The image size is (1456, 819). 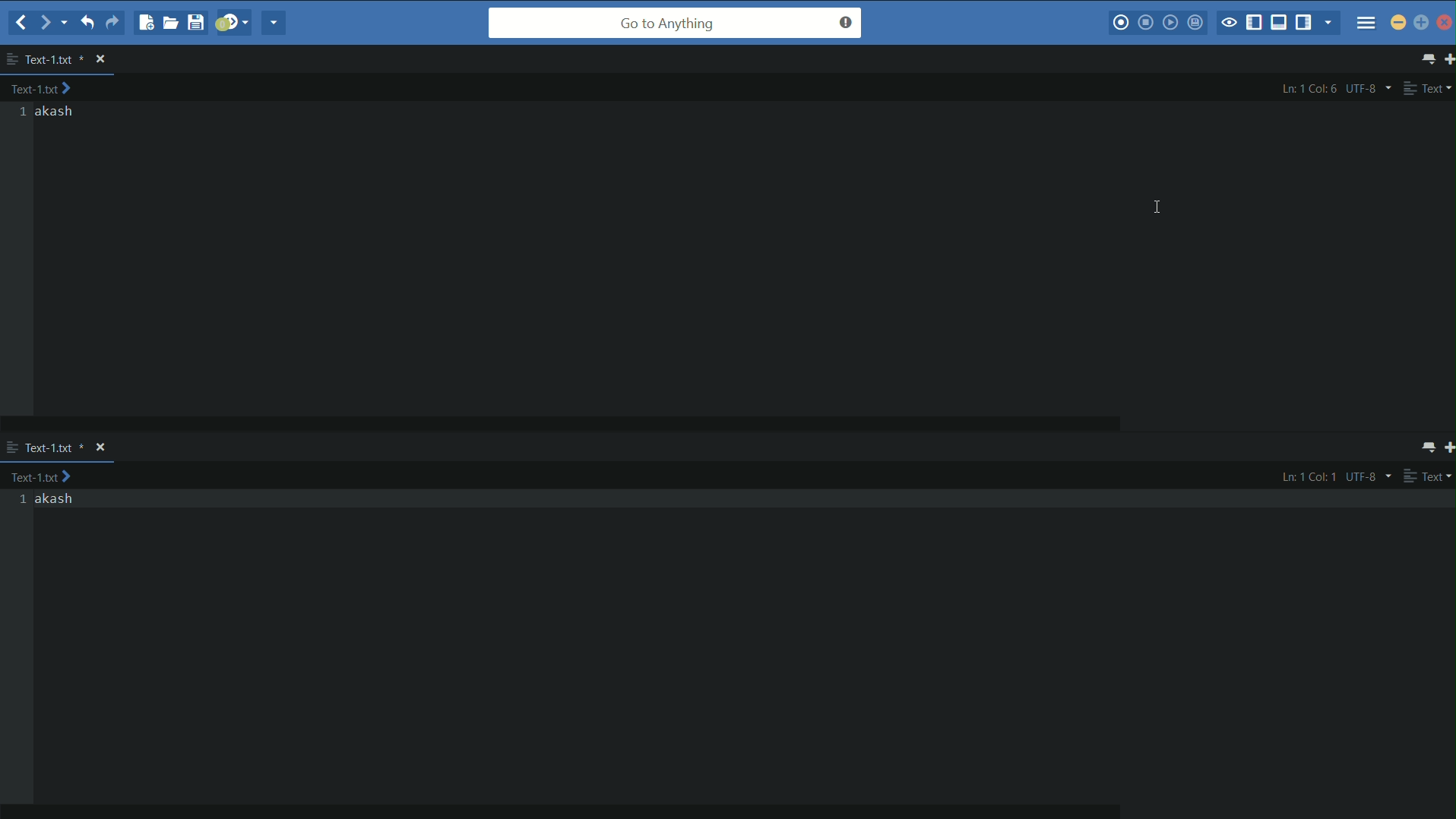 I want to click on toggle focus mode, so click(x=1228, y=24).